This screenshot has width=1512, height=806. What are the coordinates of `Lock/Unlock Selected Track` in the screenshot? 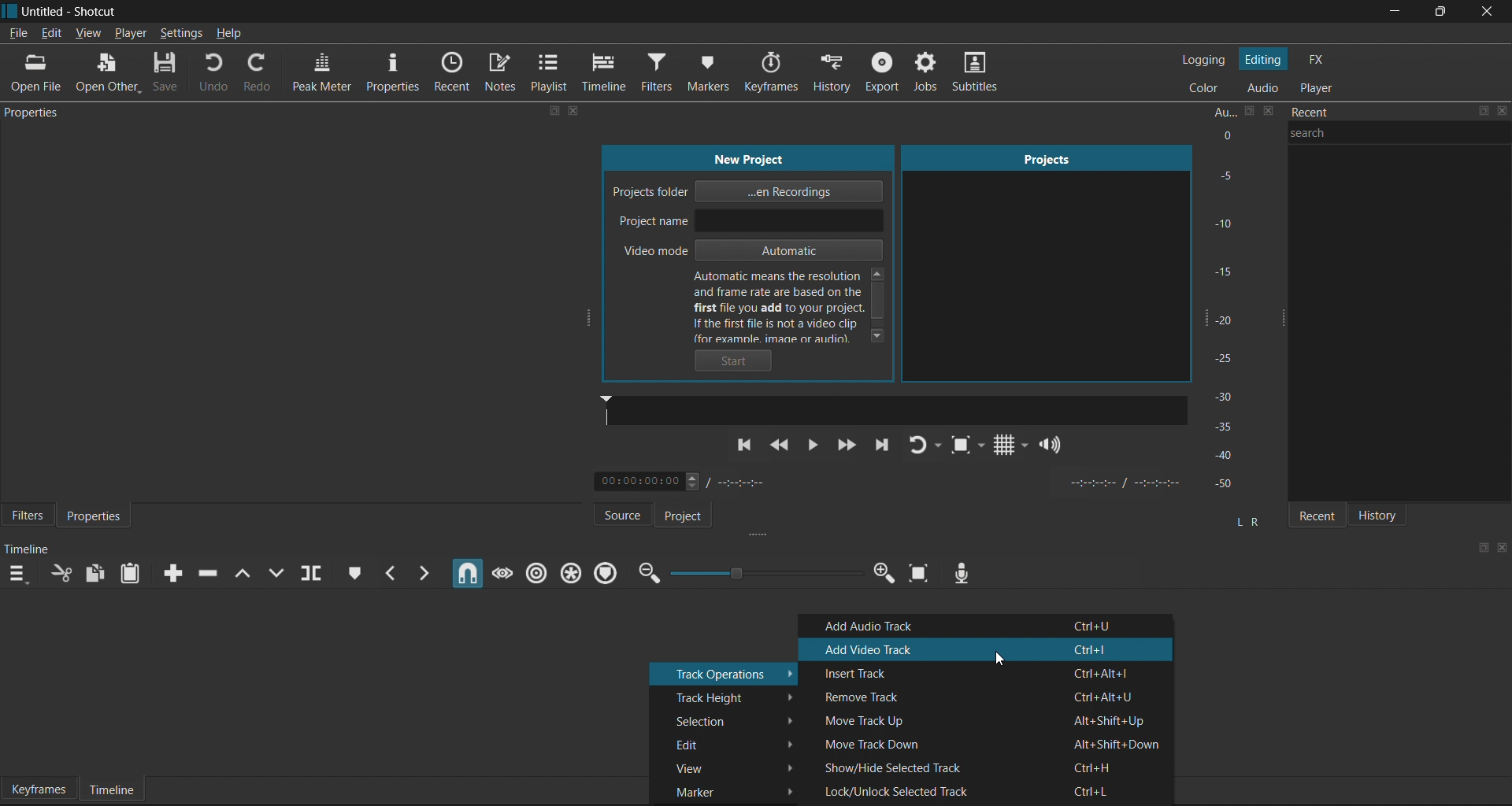 It's located at (988, 792).